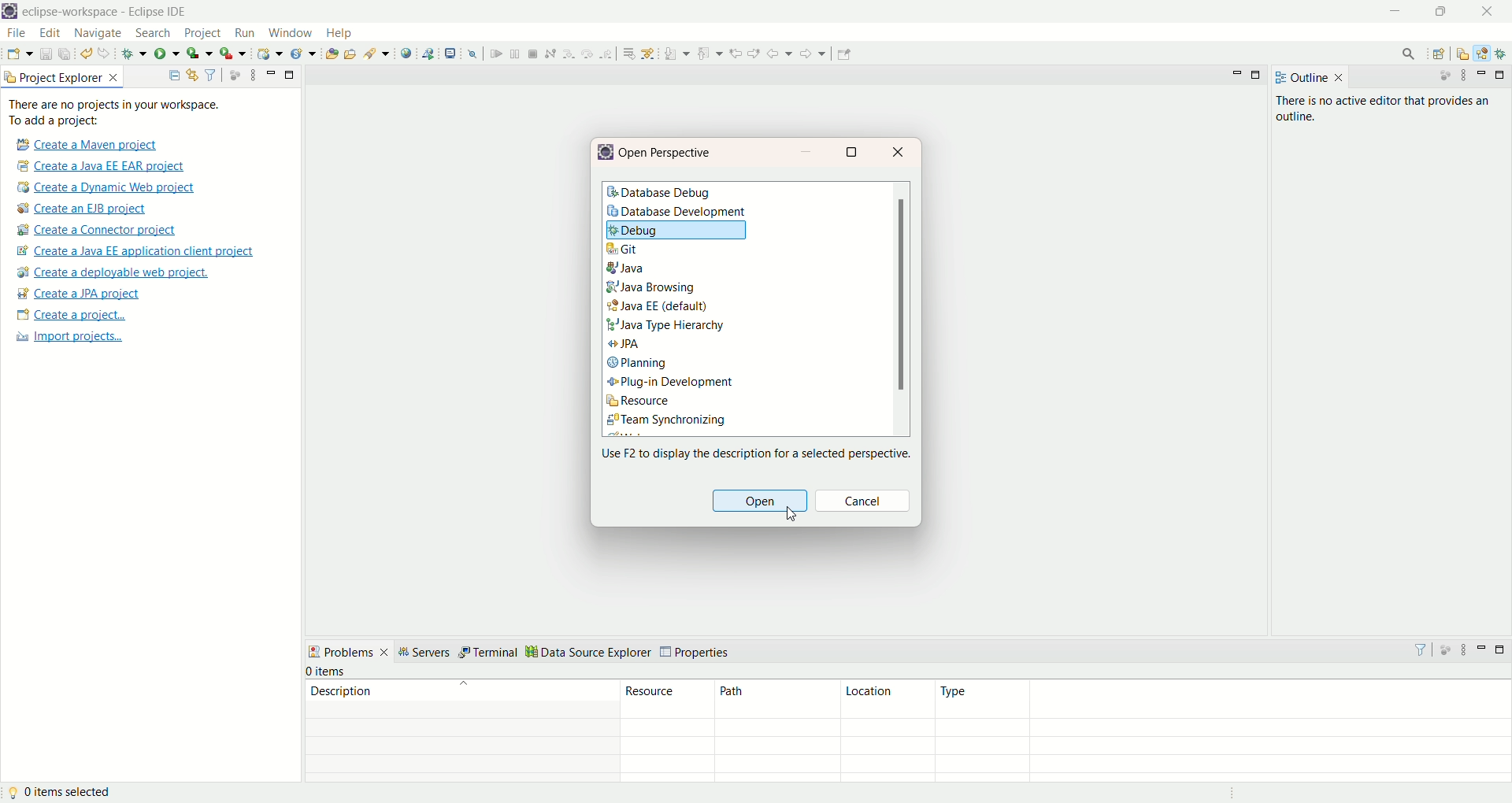 This screenshot has height=803, width=1512. I want to click on create a Java EE, so click(142, 250).